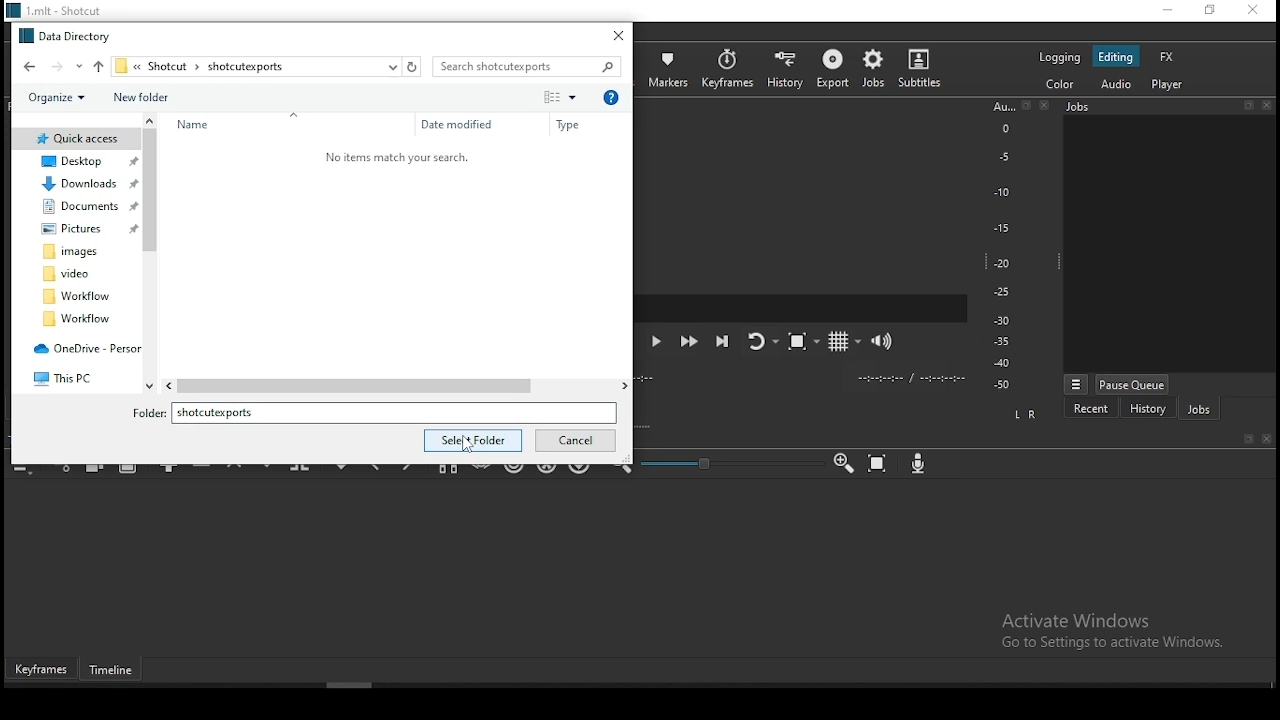 The width and height of the screenshot is (1280, 720). I want to click on export, so click(831, 72).